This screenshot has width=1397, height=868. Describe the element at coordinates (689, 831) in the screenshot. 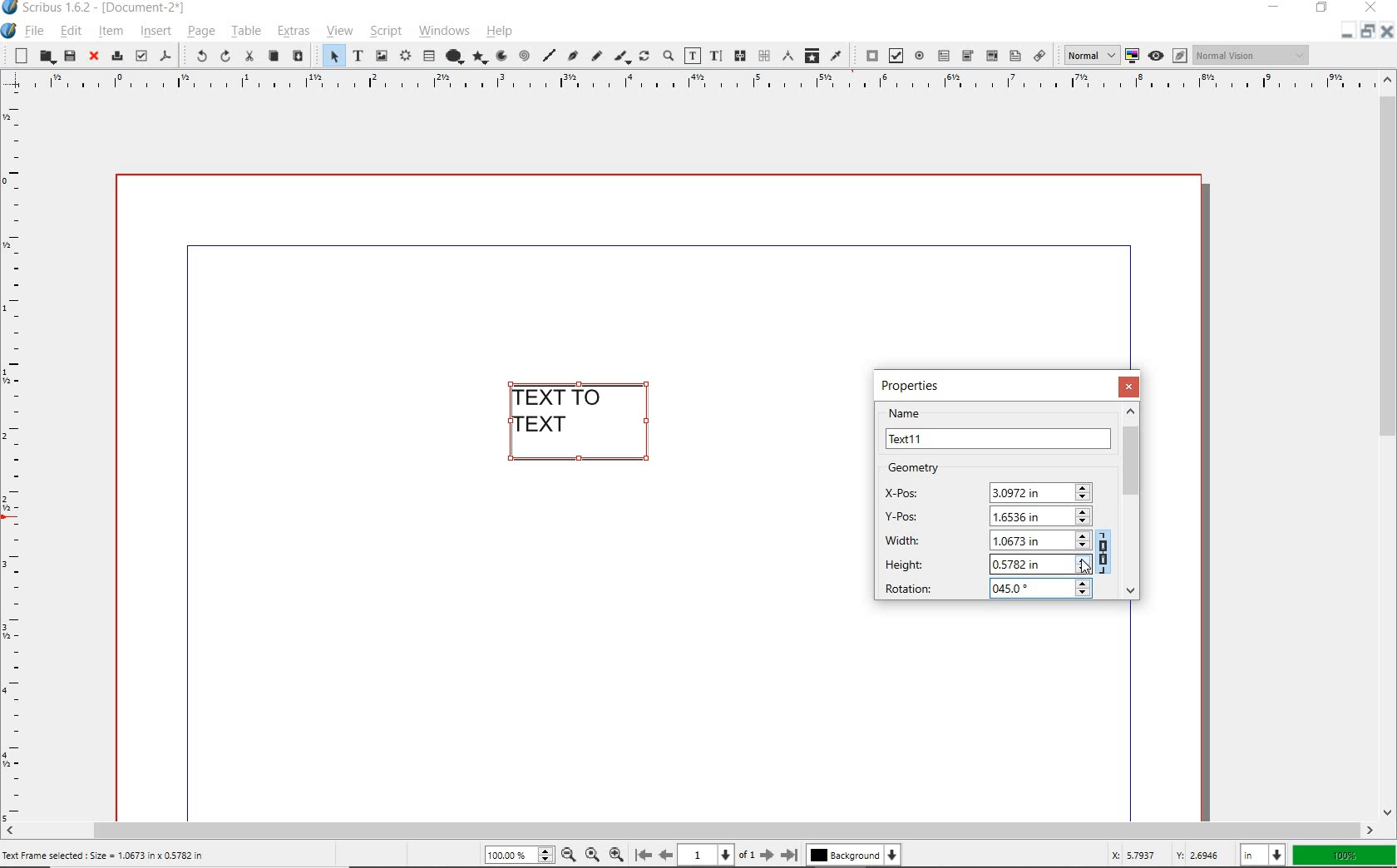

I see `scrollbar` at that location.